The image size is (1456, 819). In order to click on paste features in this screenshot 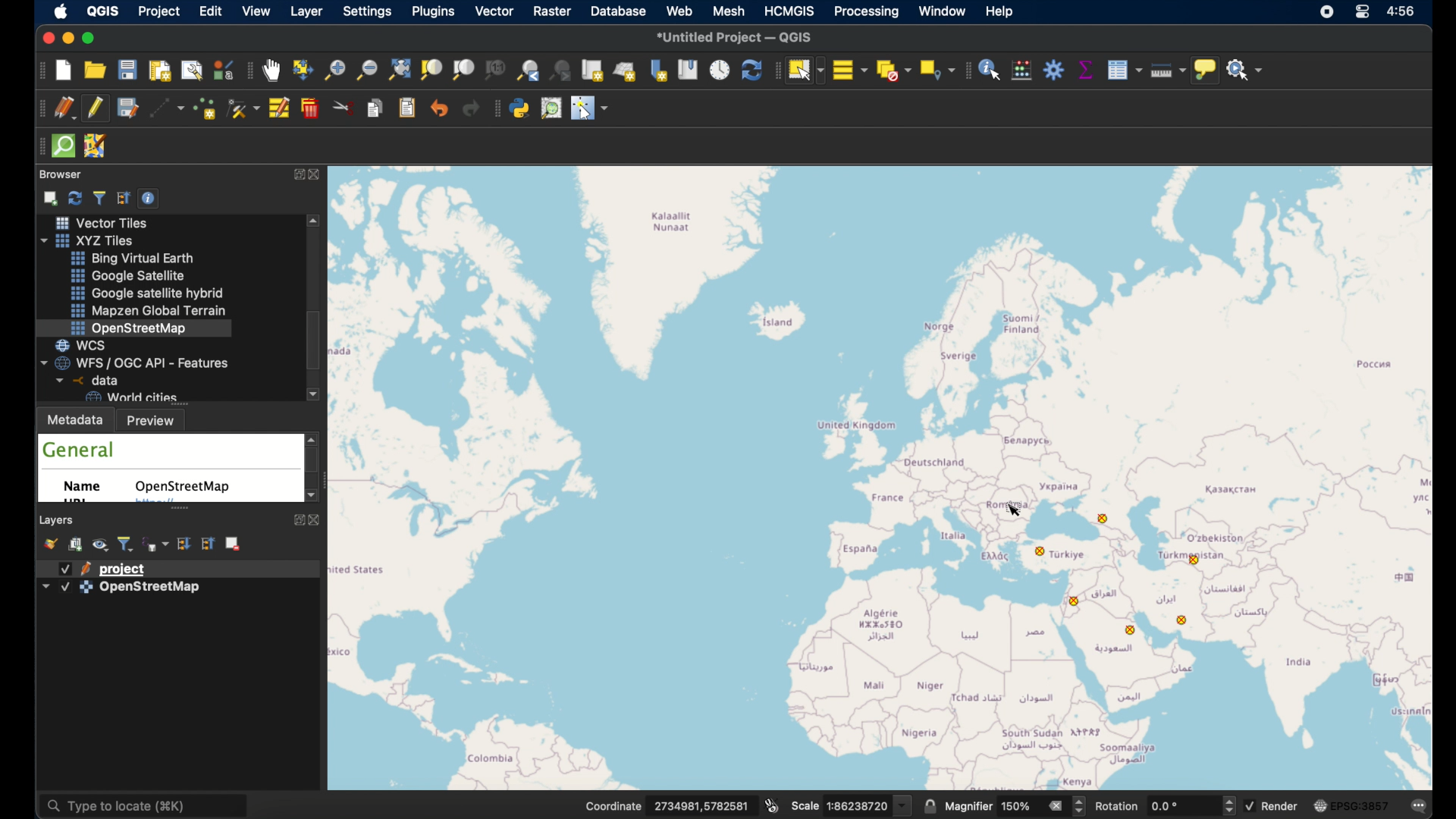, I will do `click(409, 109)`.